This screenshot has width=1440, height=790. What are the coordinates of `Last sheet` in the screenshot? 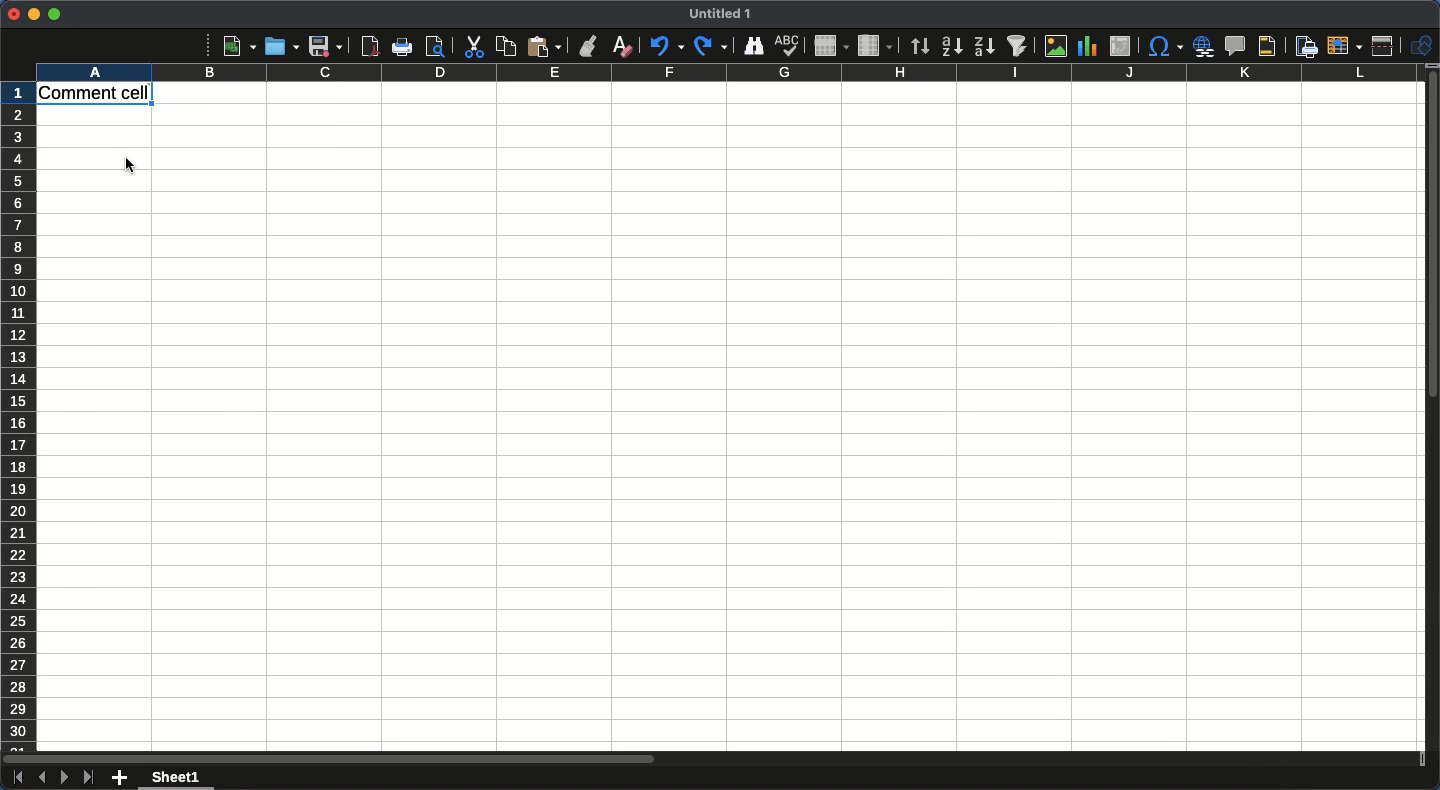 It's located at (88, 778).